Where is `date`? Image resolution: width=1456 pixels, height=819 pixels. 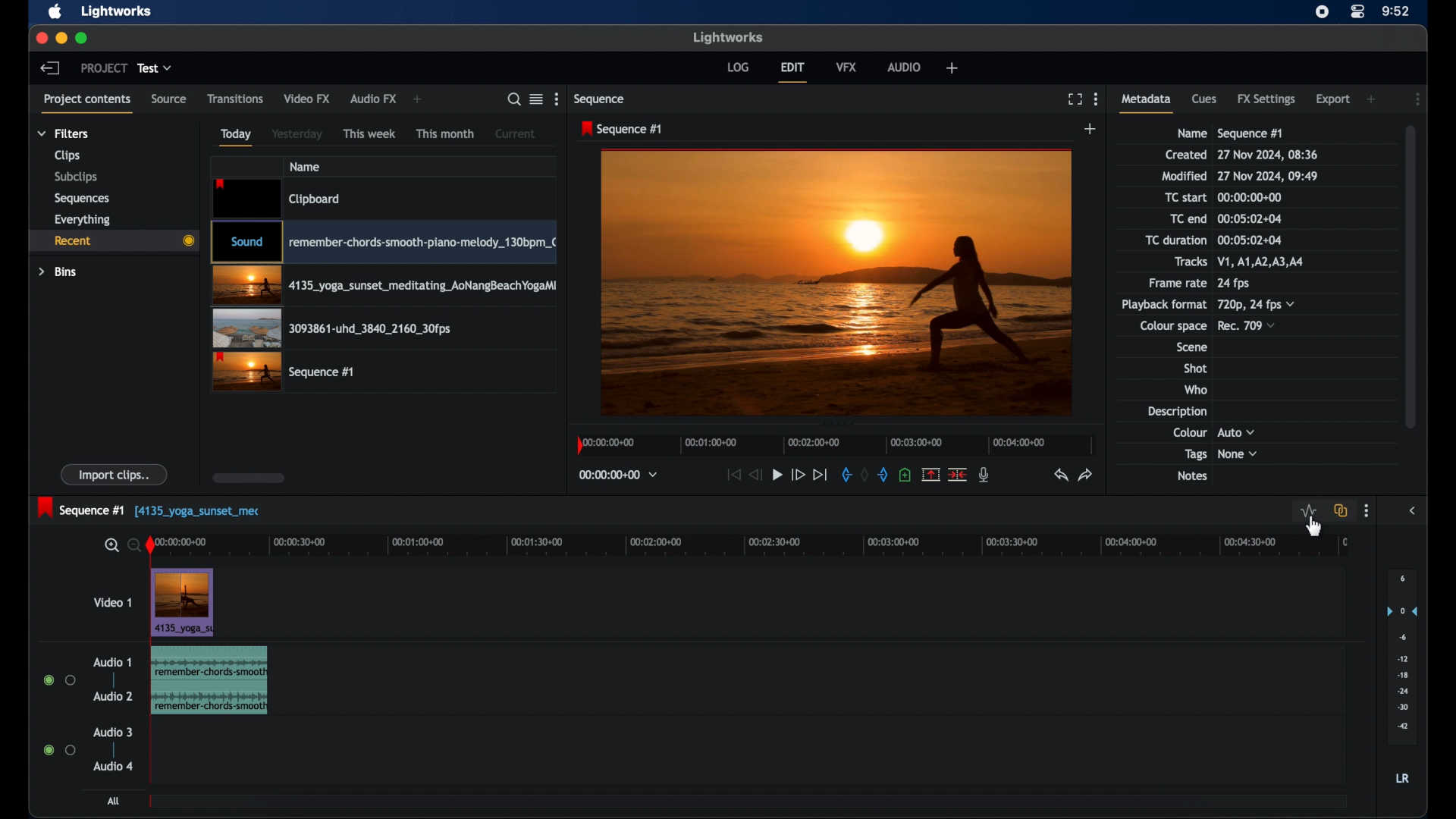
date is located at coordinates (1269, 155).